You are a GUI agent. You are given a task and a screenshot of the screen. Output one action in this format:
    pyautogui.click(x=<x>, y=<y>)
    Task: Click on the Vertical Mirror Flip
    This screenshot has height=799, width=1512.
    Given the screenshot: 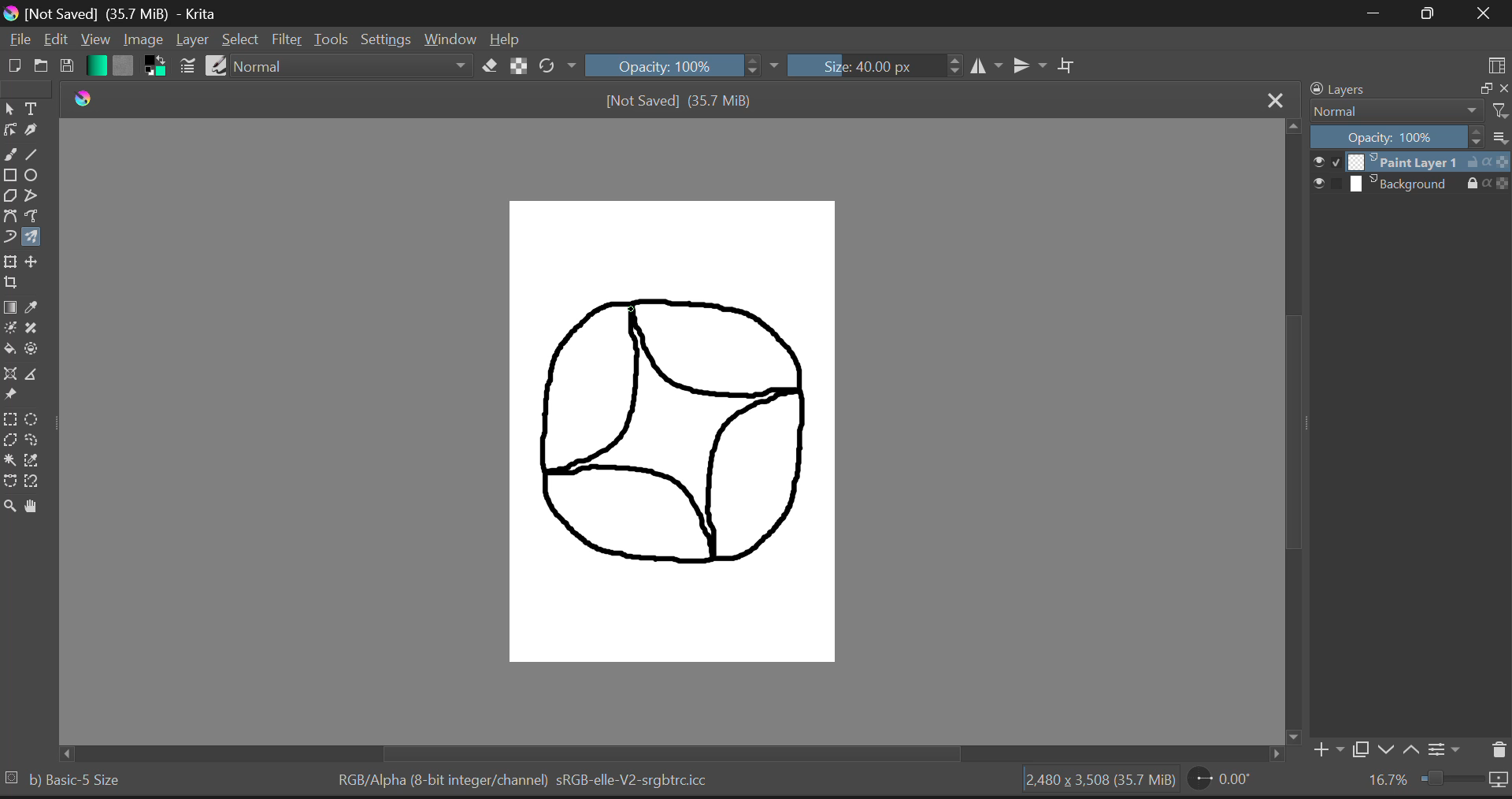 What is the action you would take?
    pyautogui.click(x=988, y=66)
    